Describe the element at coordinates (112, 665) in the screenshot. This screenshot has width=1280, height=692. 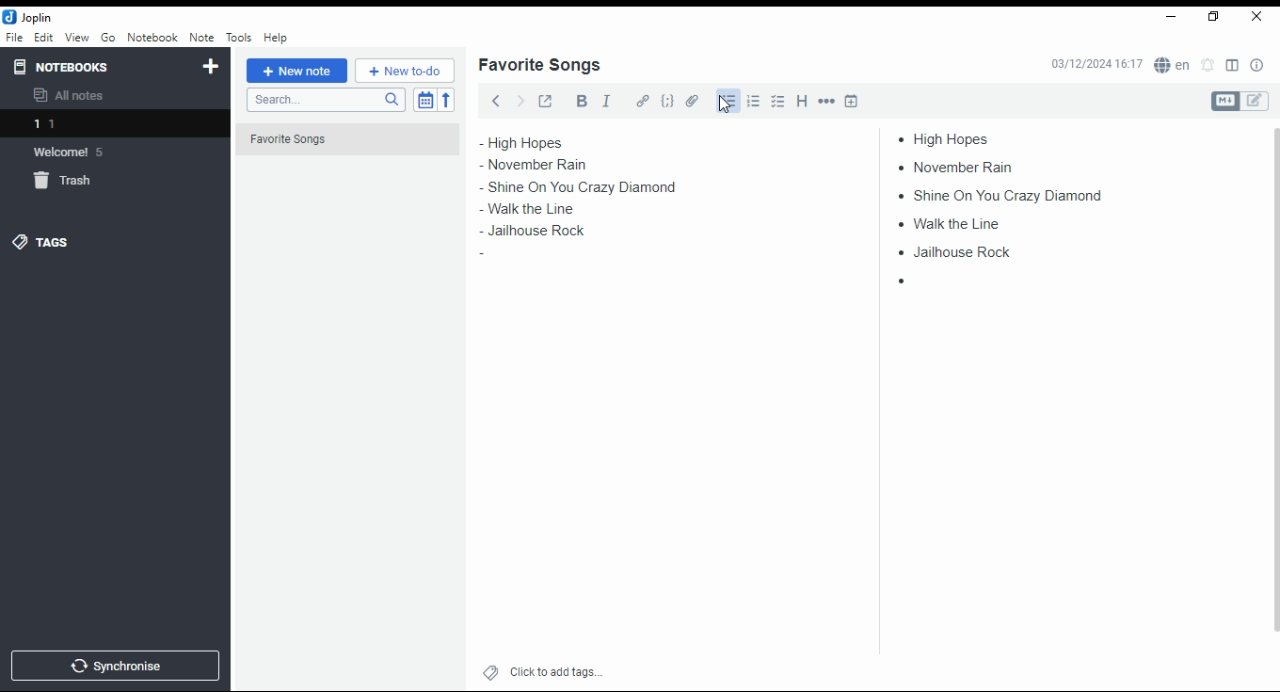
I see `synchronise` at that location.